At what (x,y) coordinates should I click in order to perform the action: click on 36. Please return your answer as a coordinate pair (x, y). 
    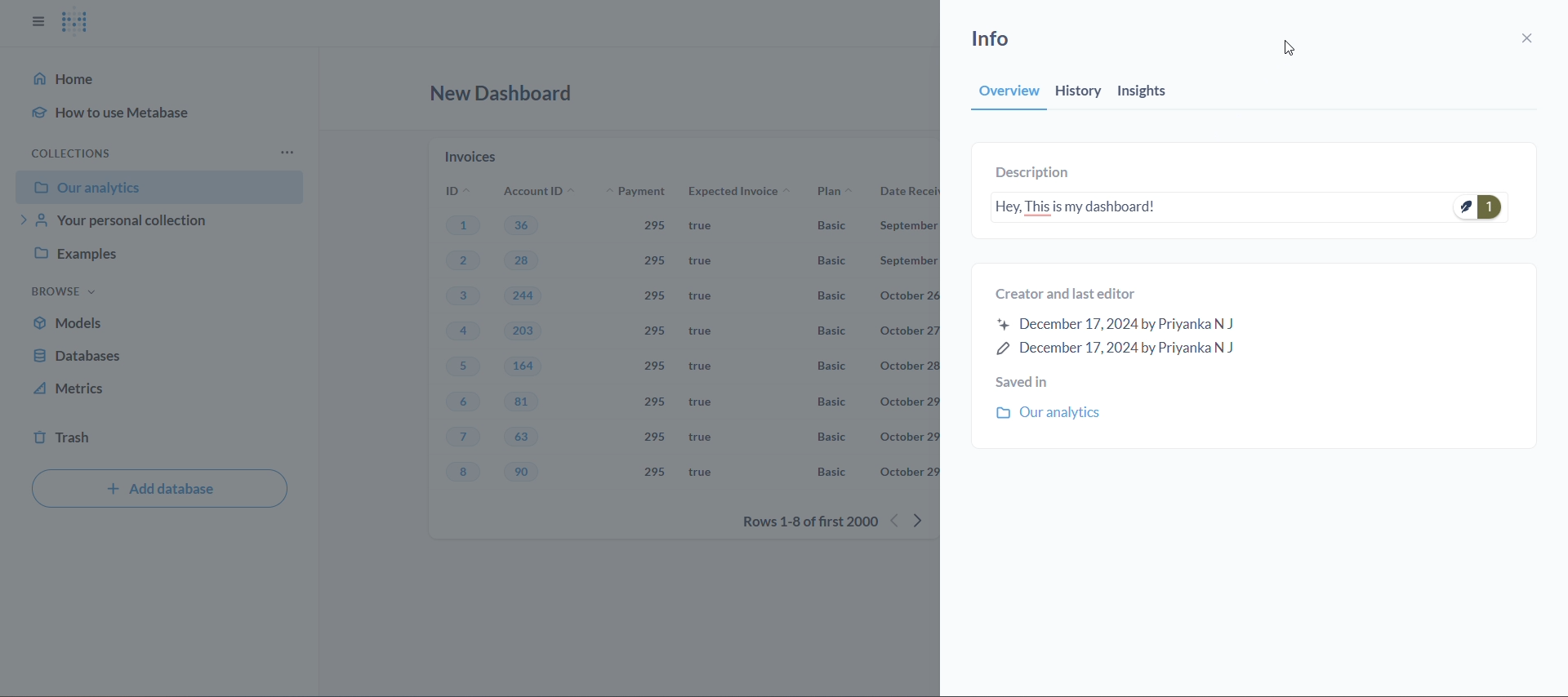
    Looking at the image, I should click on (522, 224).